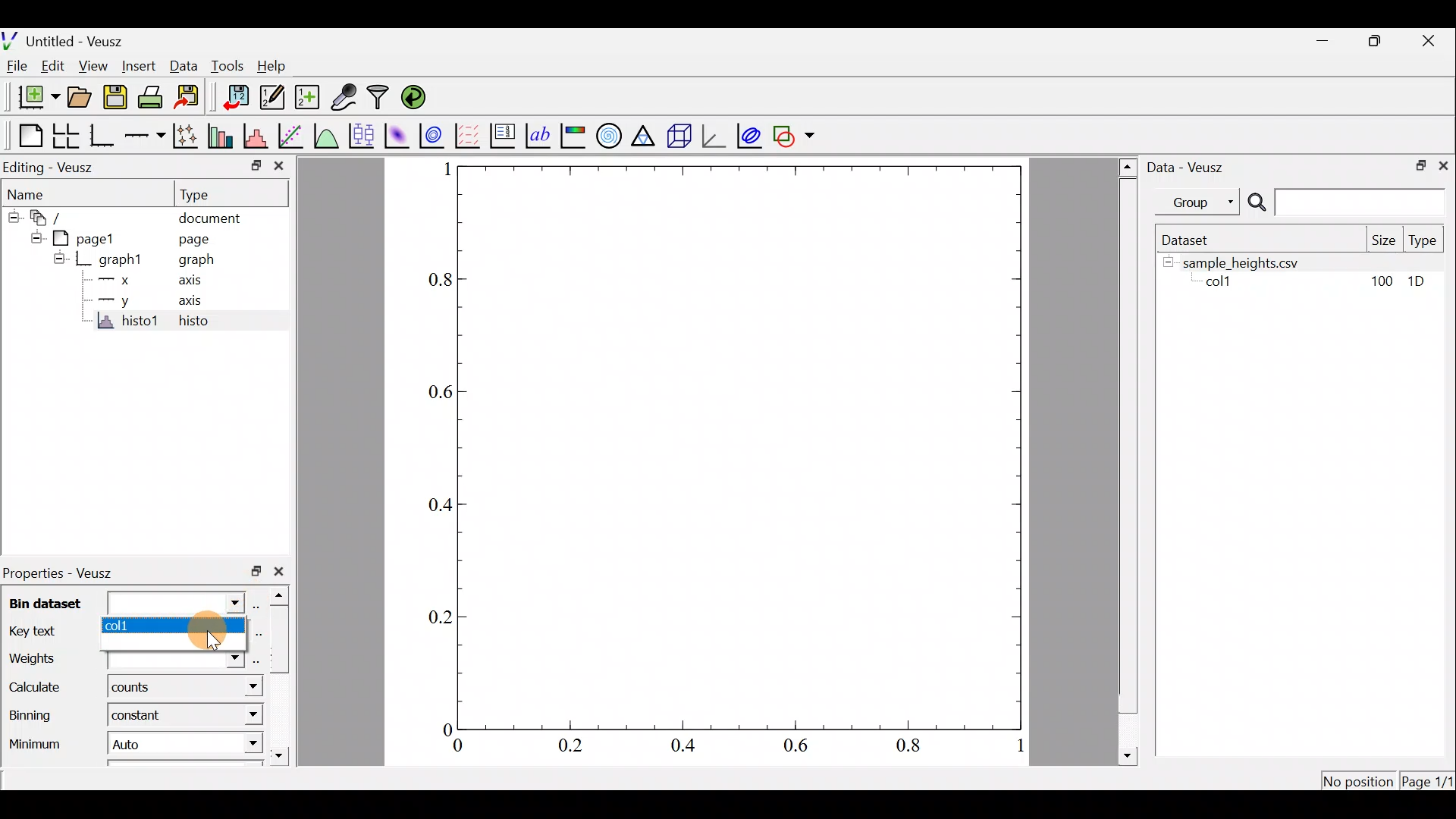 The image size is (1456, 819). I want to click on plot a 2d dataset as contours, so click(435, 136).